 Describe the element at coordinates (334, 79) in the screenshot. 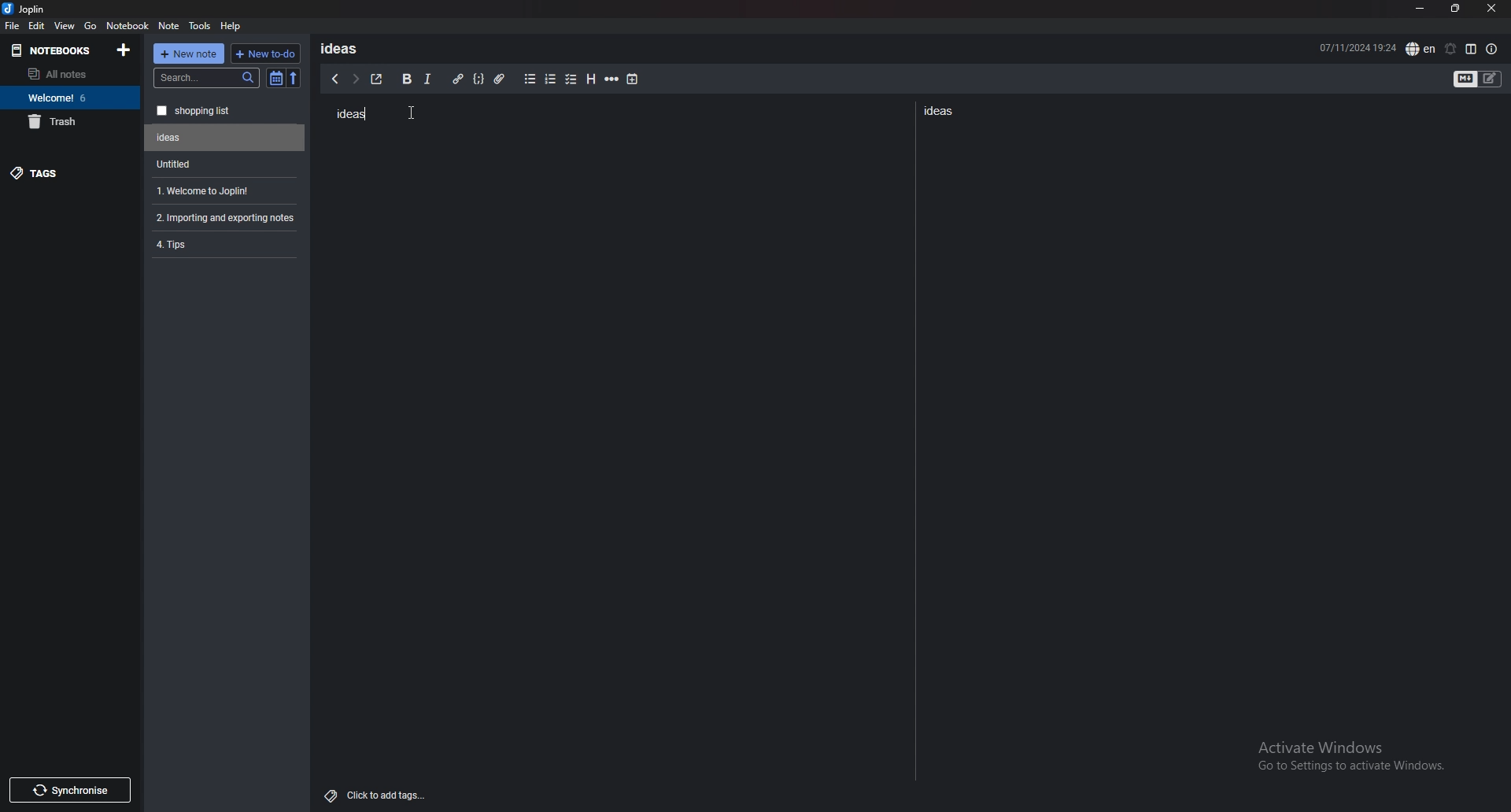

I see `previous` at that location.